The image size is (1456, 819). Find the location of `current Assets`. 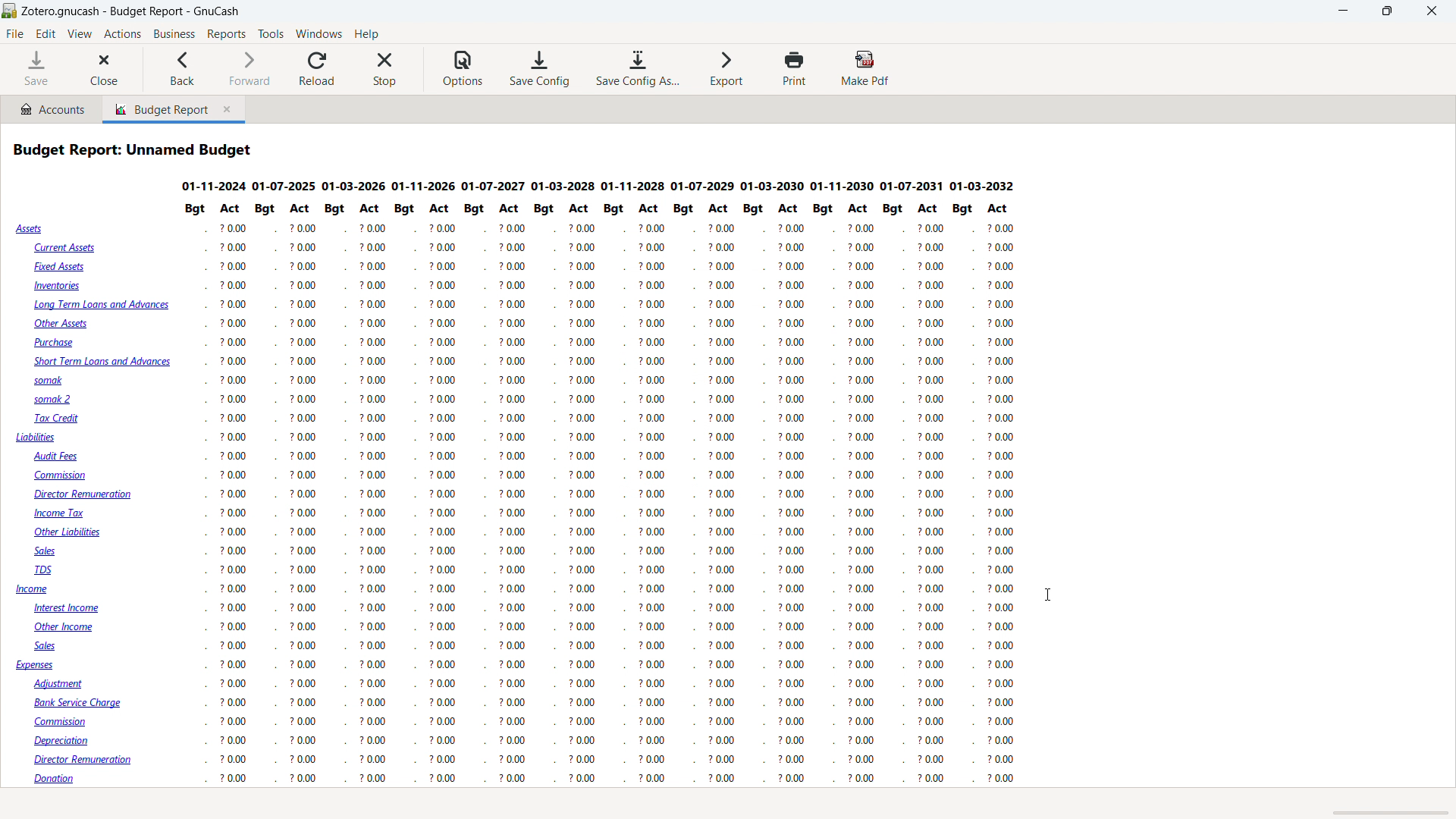

current Assets is located at coordinates (63, 248).